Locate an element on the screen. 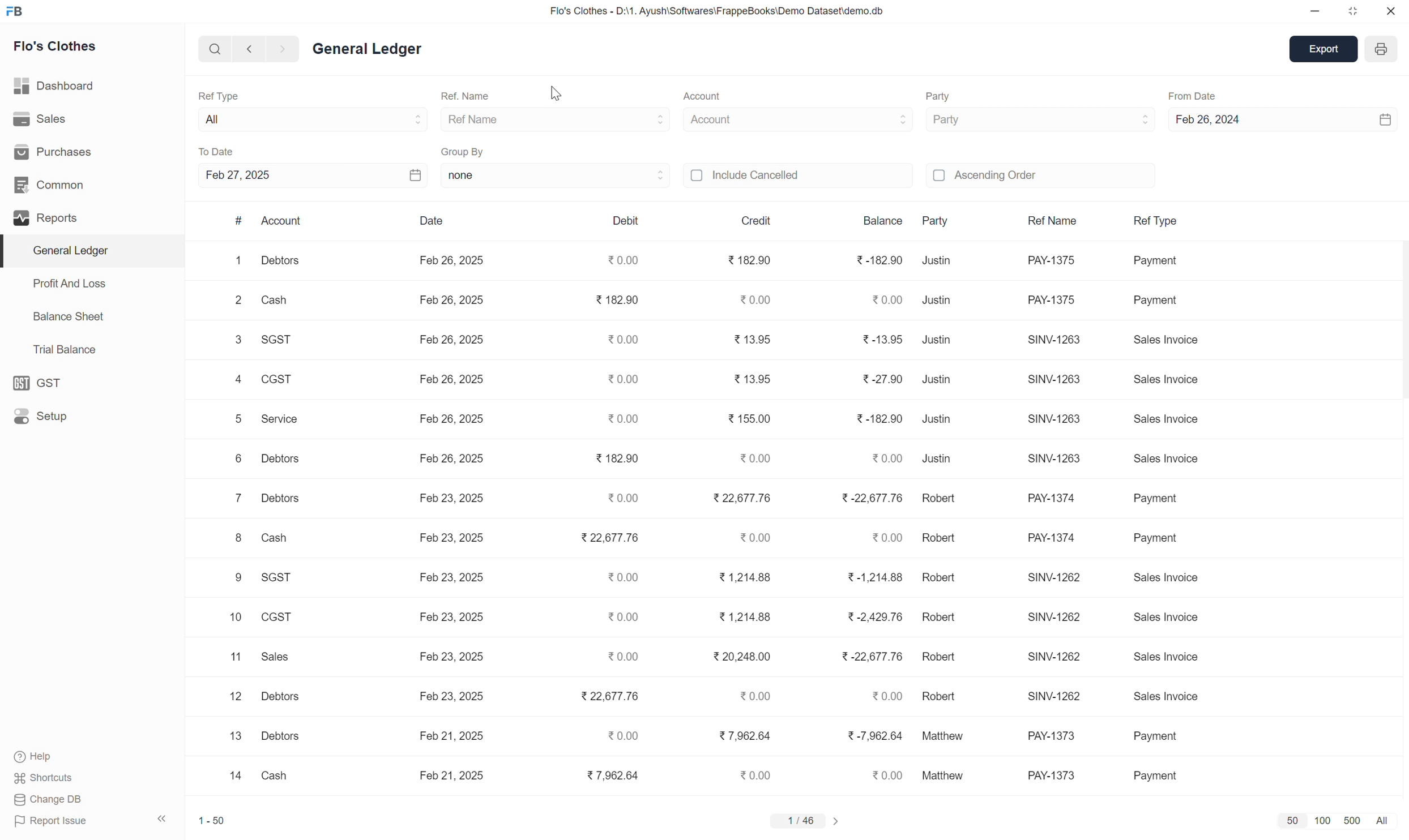 The height and width of the screenshot is (840, 1409). justin is located at coordinates (938, 458).